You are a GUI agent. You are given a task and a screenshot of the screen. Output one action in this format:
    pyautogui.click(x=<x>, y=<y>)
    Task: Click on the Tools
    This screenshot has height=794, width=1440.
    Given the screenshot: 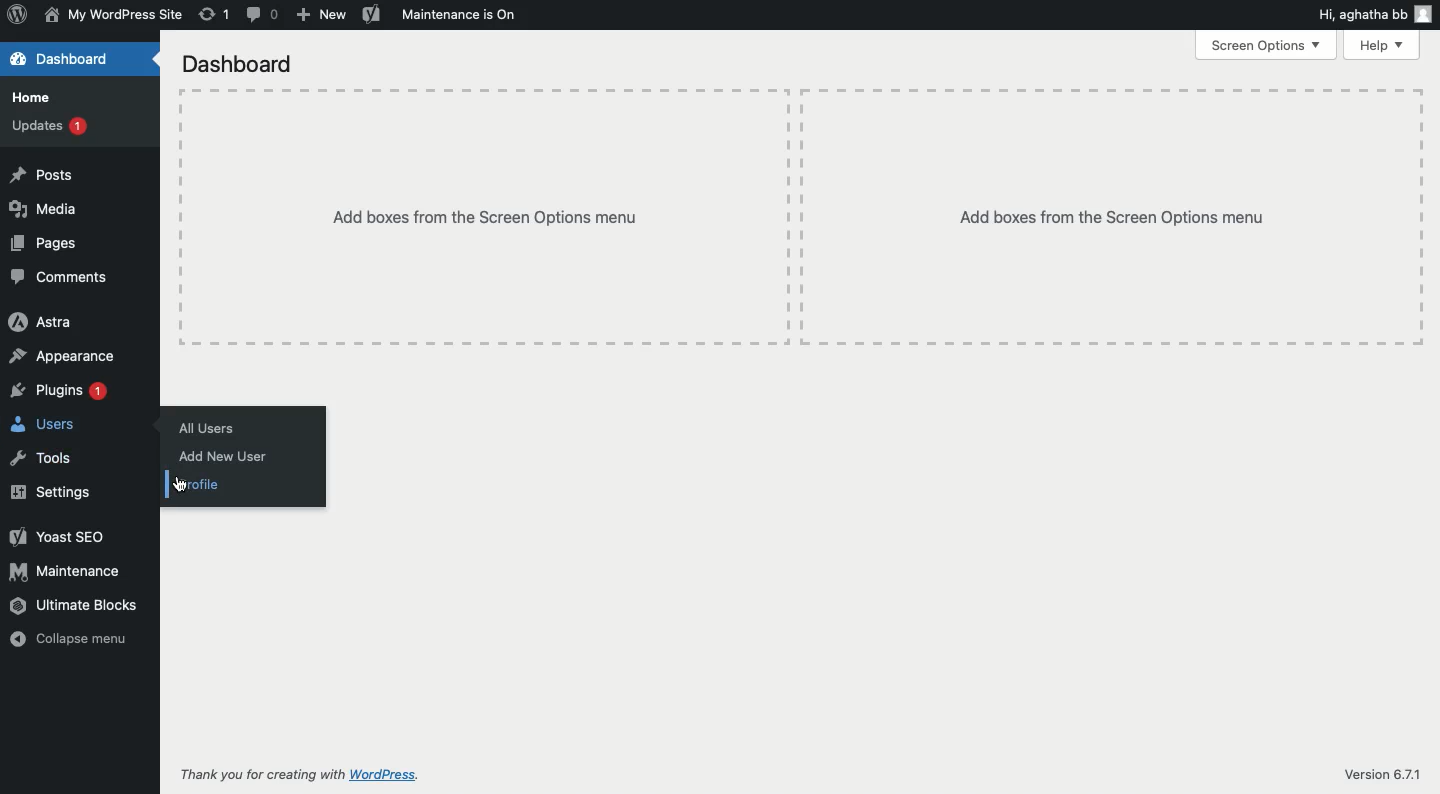 What is the action you would take?
    pyautogui.click(x=43, y=456)
    